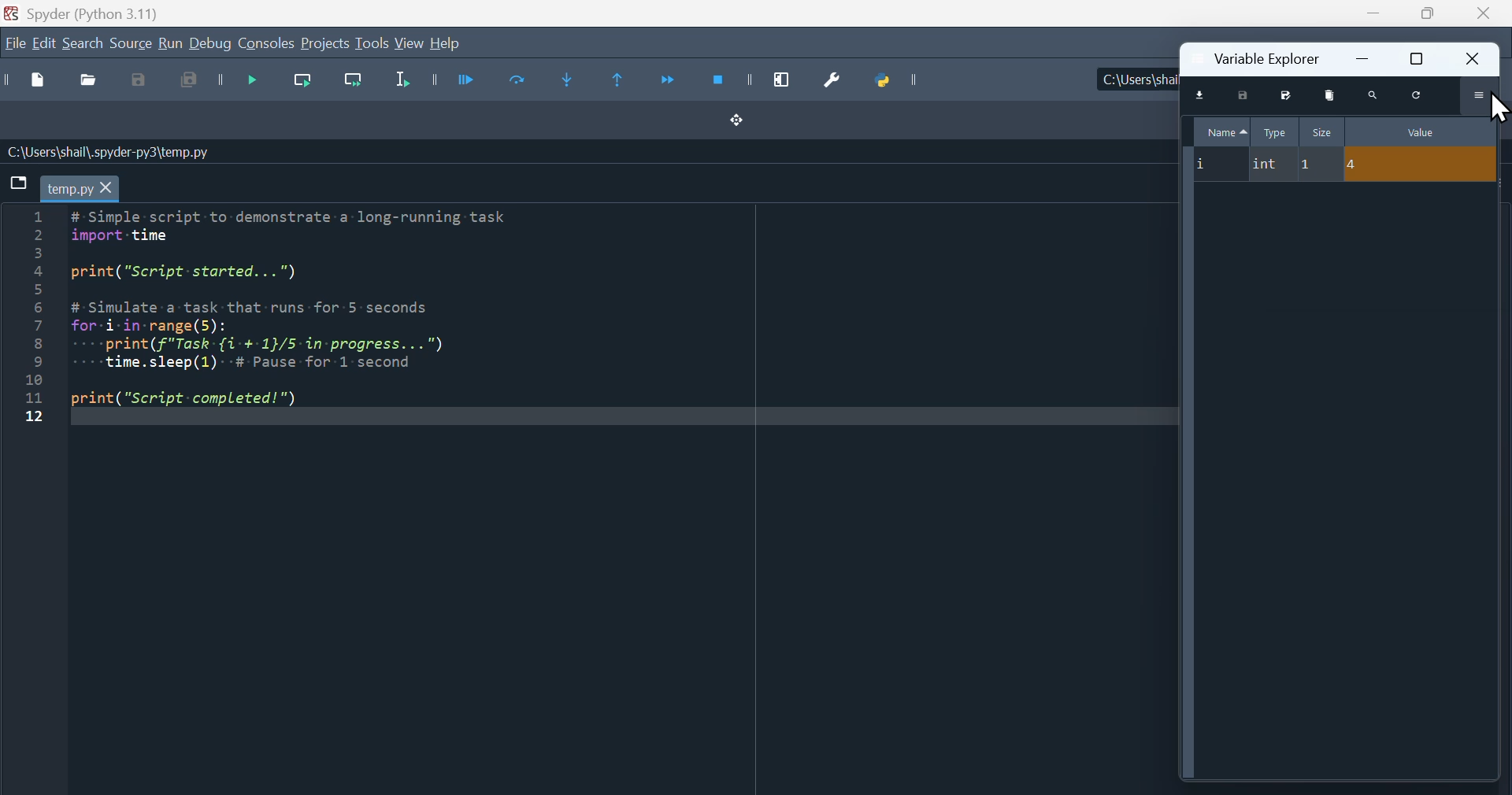 The image size is (1512, 795). I want to click on Open file, so click(87, 82).